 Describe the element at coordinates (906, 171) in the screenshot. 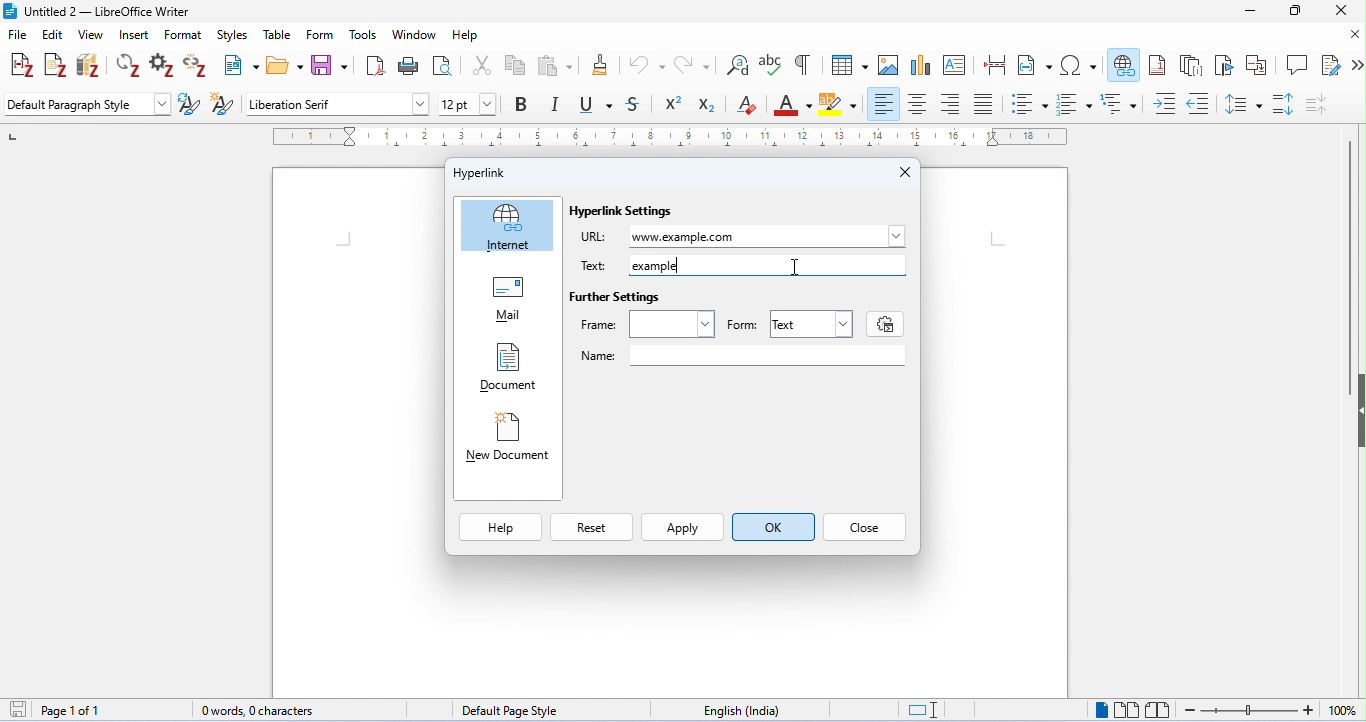

I see `Close` at that location.